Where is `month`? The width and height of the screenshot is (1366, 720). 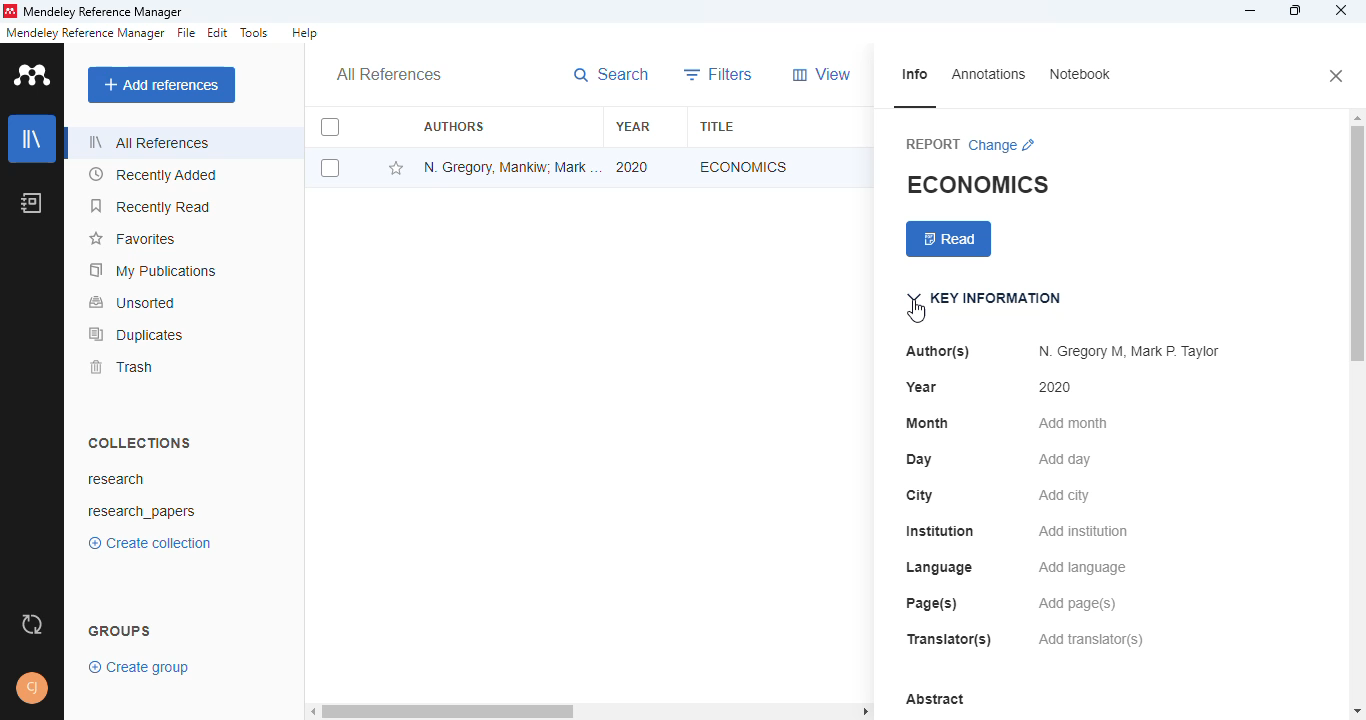
month is located at coordinates (926, 423).